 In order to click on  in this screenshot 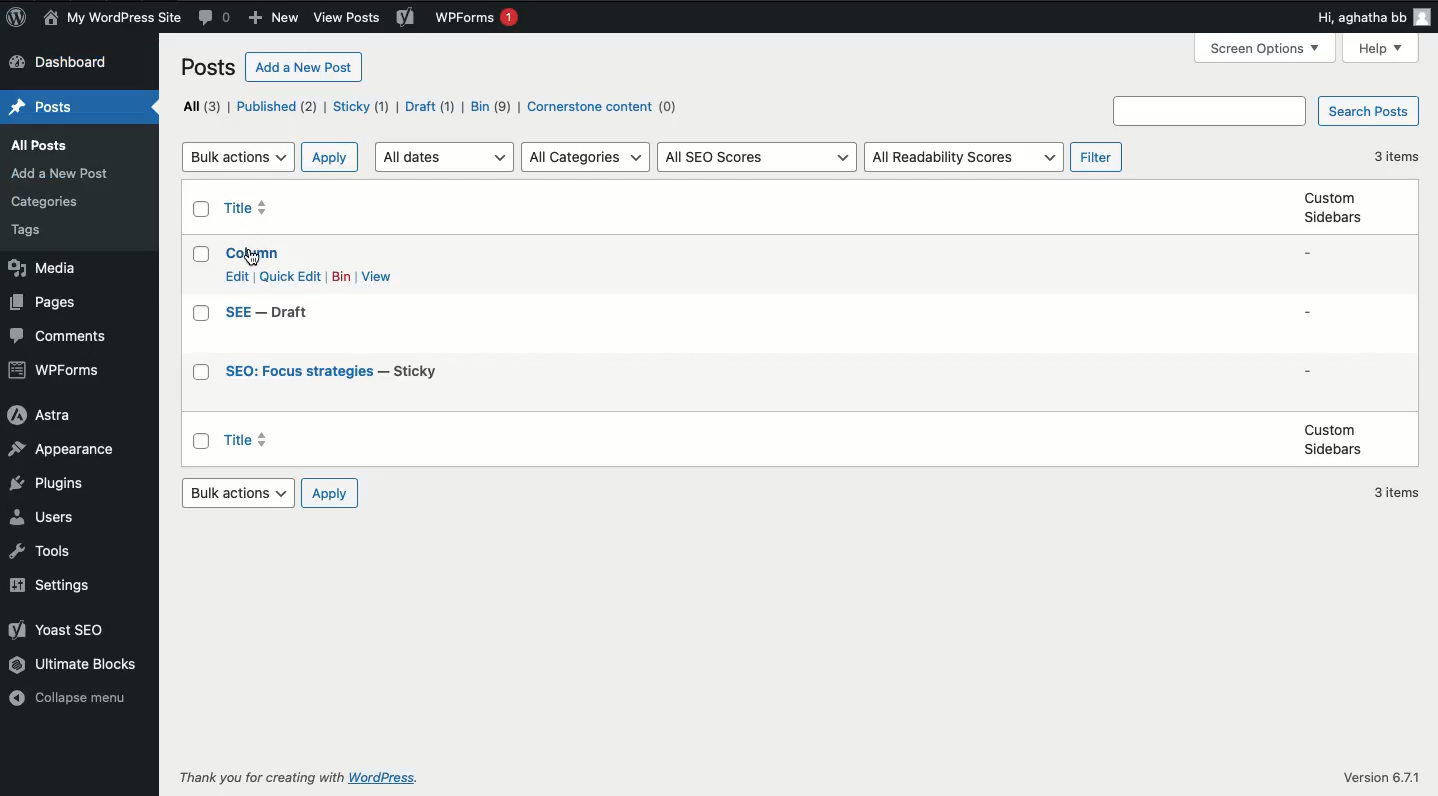, I will do `click(259, 778)`.